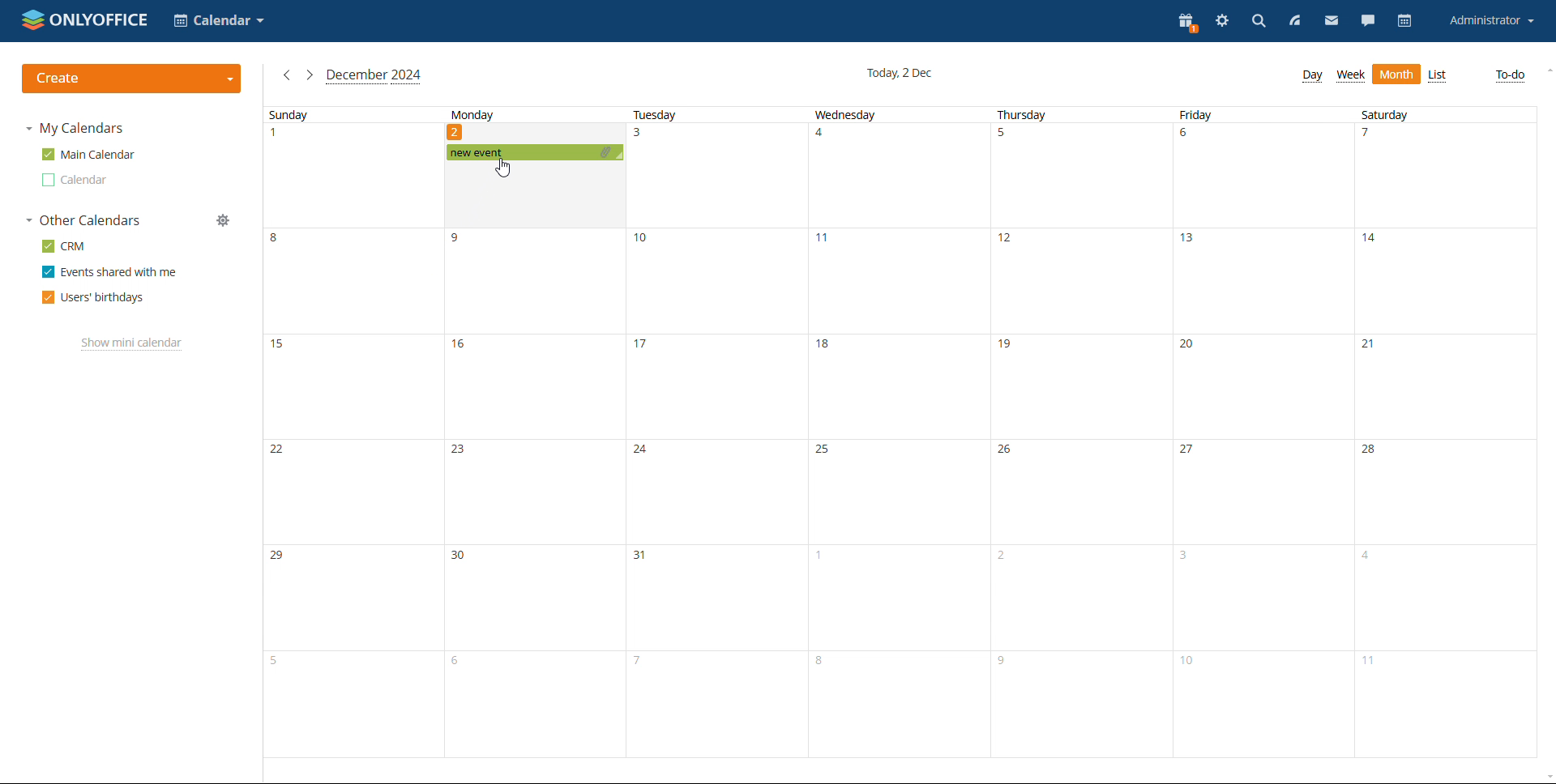 This screenshot has height=784, width=1556. Describe the element at coordinates (825, 138) in the screenshot. I see `4` at that location.